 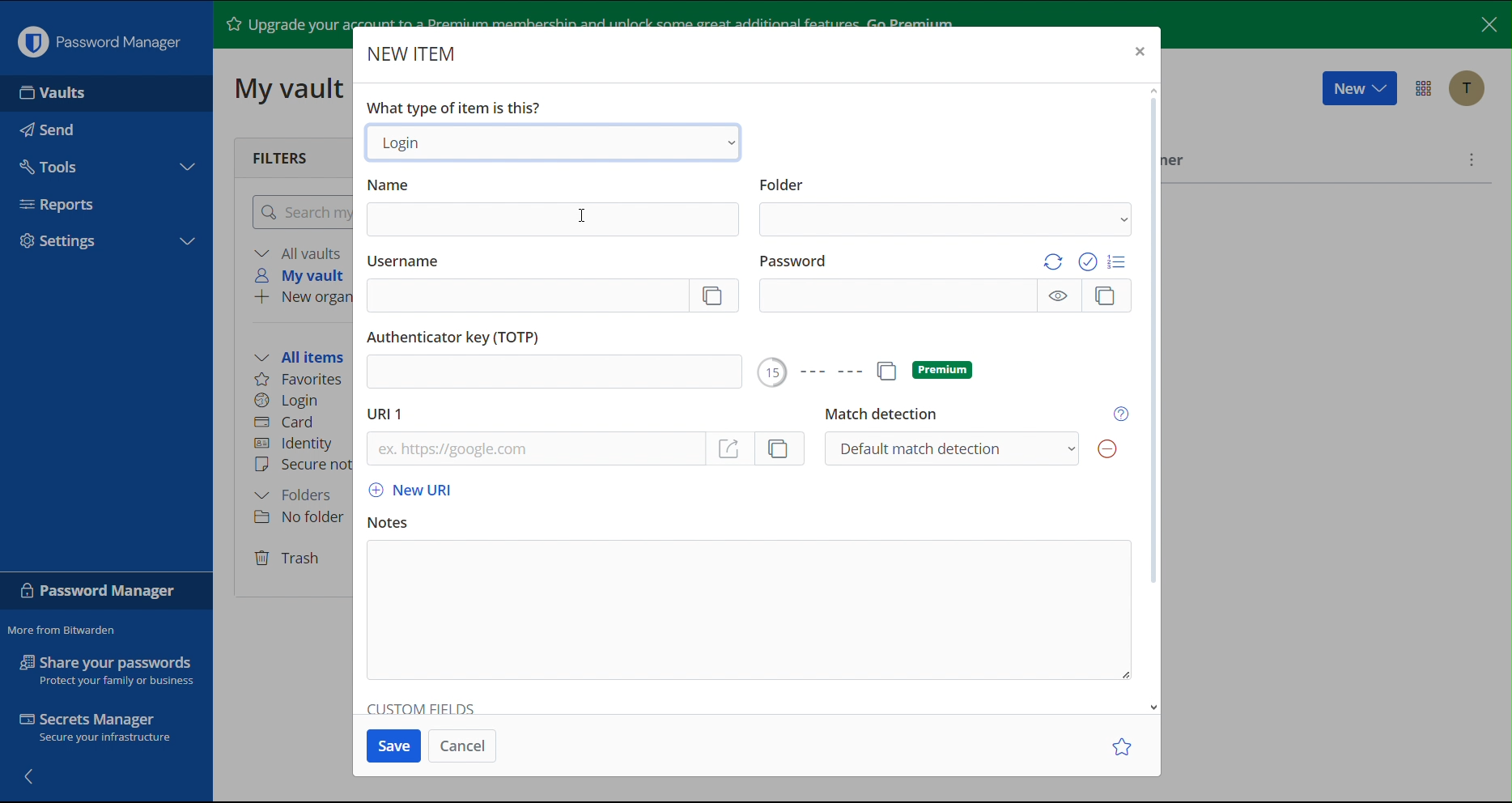 What do you see at coordinates (423, 707) in the screenshot?
I see `Custom Fields` at bounding box center [423, 707].